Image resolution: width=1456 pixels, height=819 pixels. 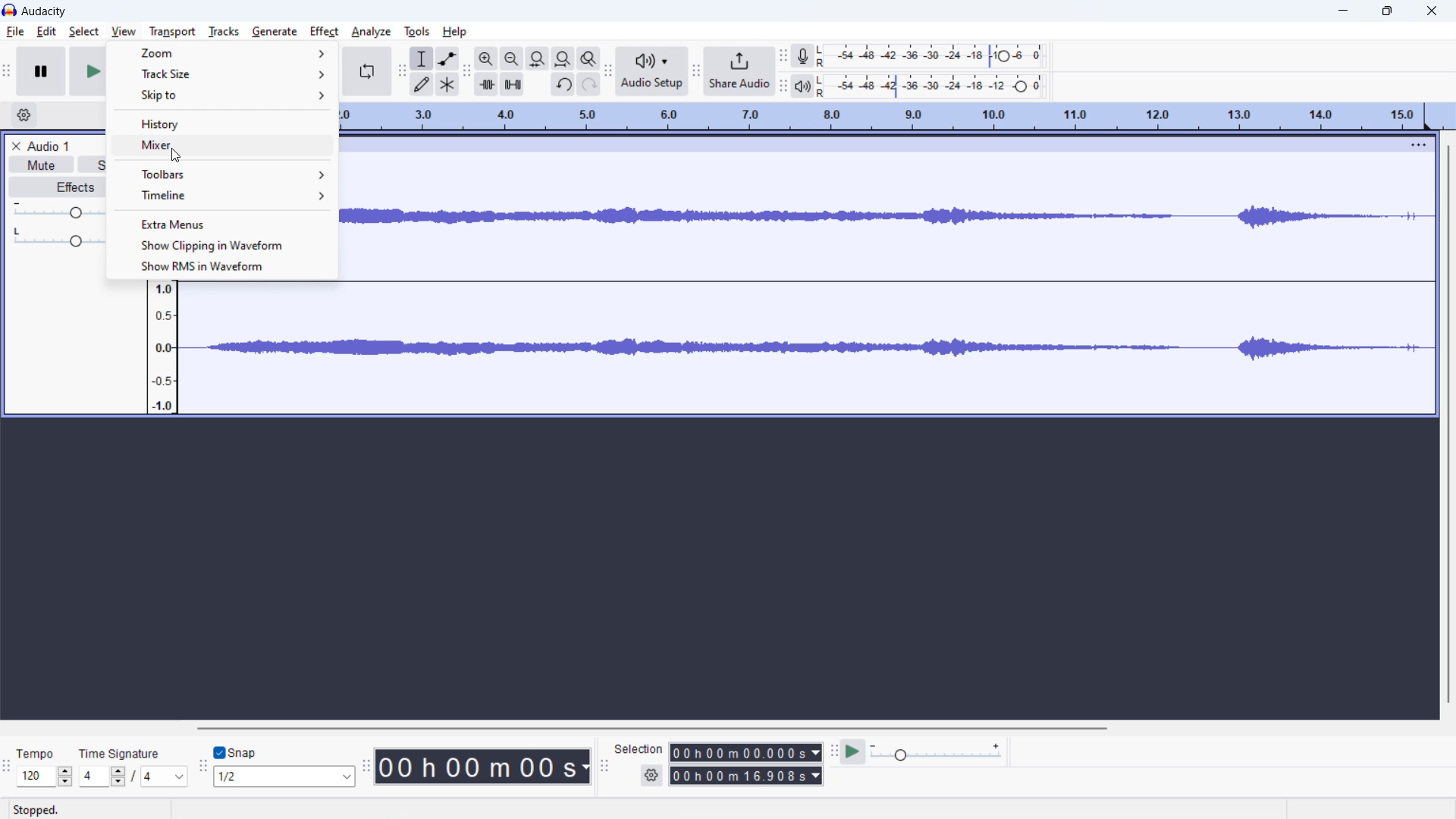 What do you see at coordinates (588, 58) in the screenshot?
I see `toggle zoom` at bounding box center [588, 58].